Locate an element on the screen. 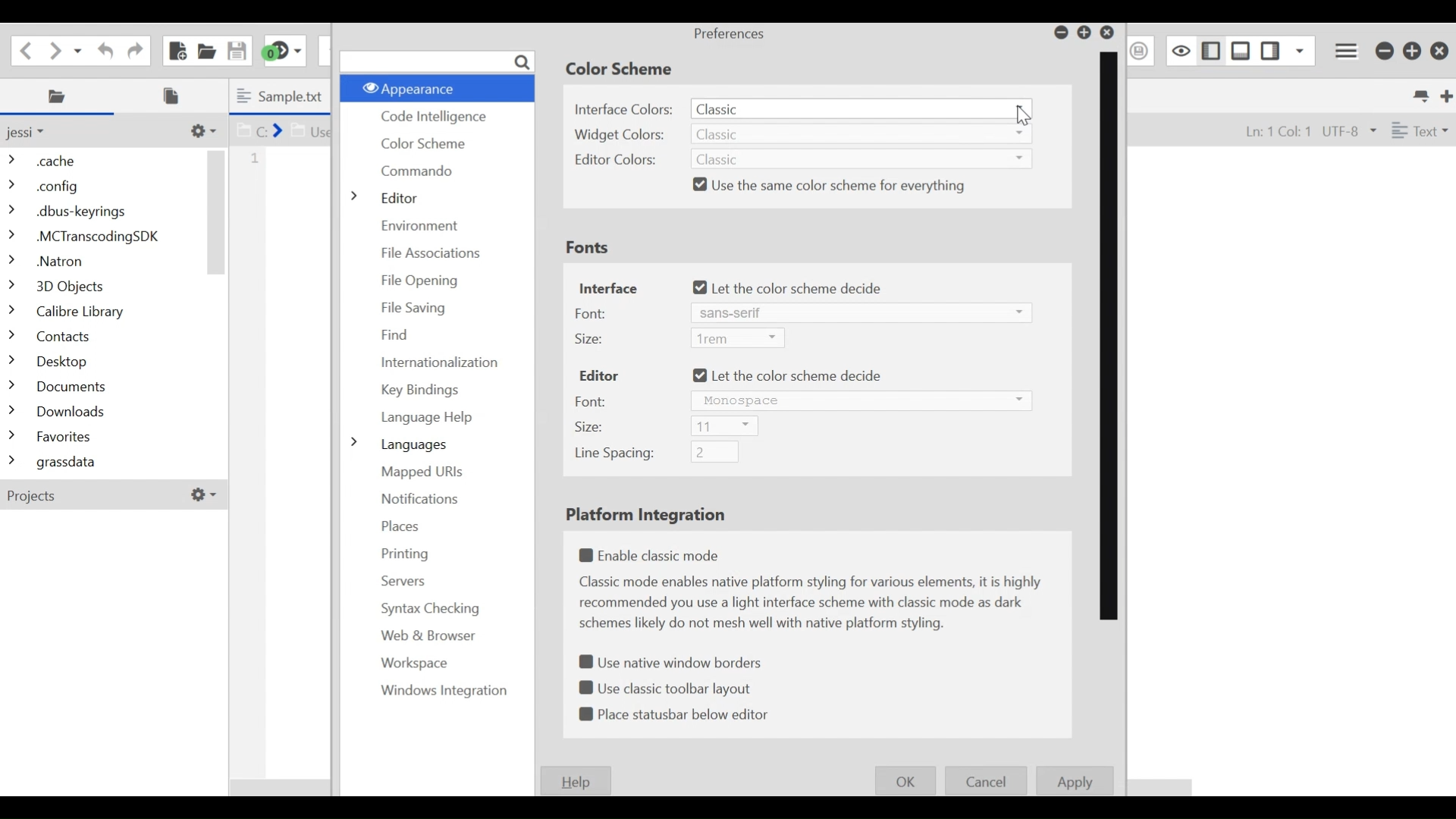 The height and width of the screenshot is (819, 1456). jump to the next syntax checking result is located at coordinates (284, 51).